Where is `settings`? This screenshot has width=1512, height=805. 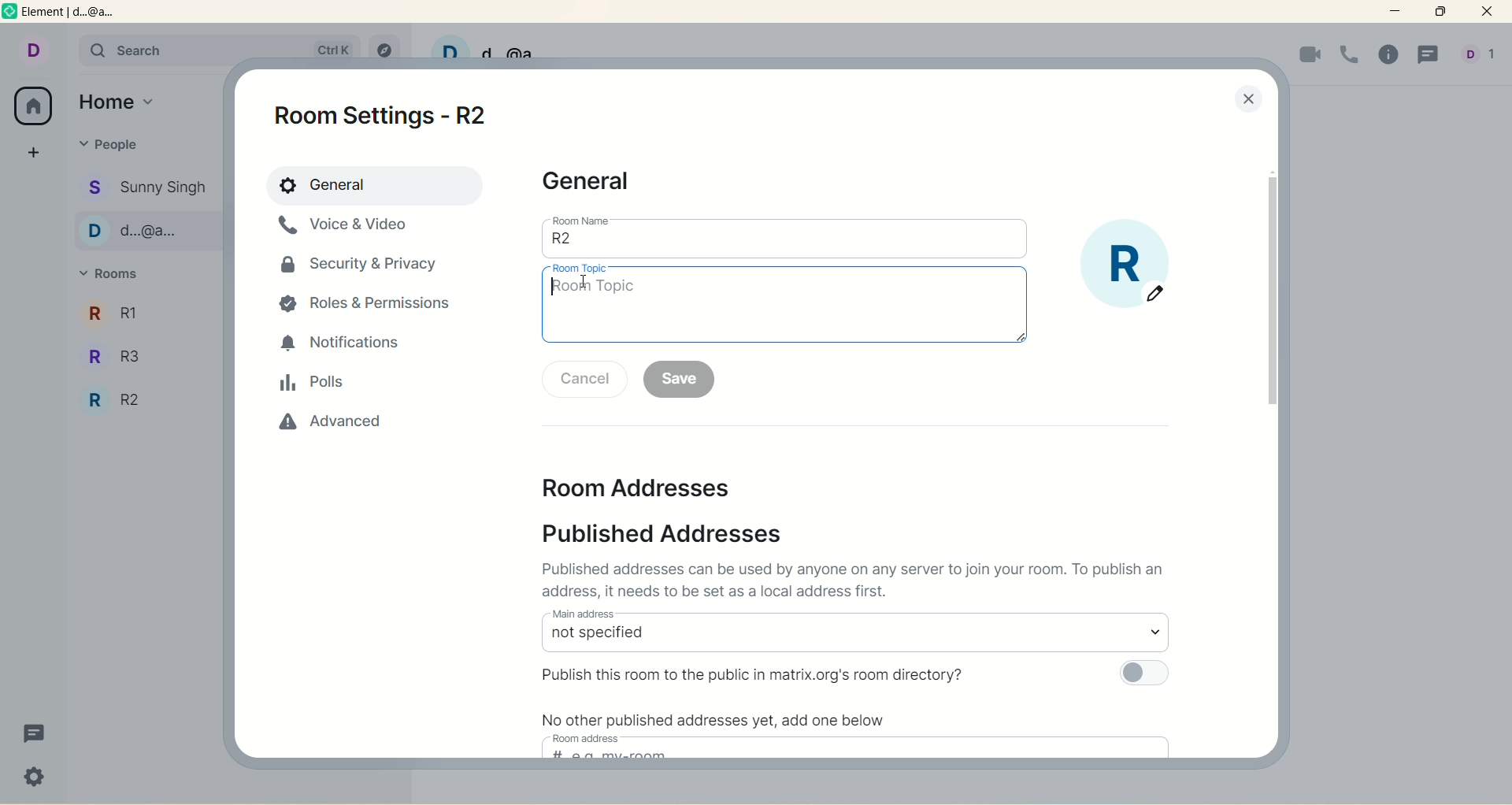
settings is located at coordinates (35, 779).